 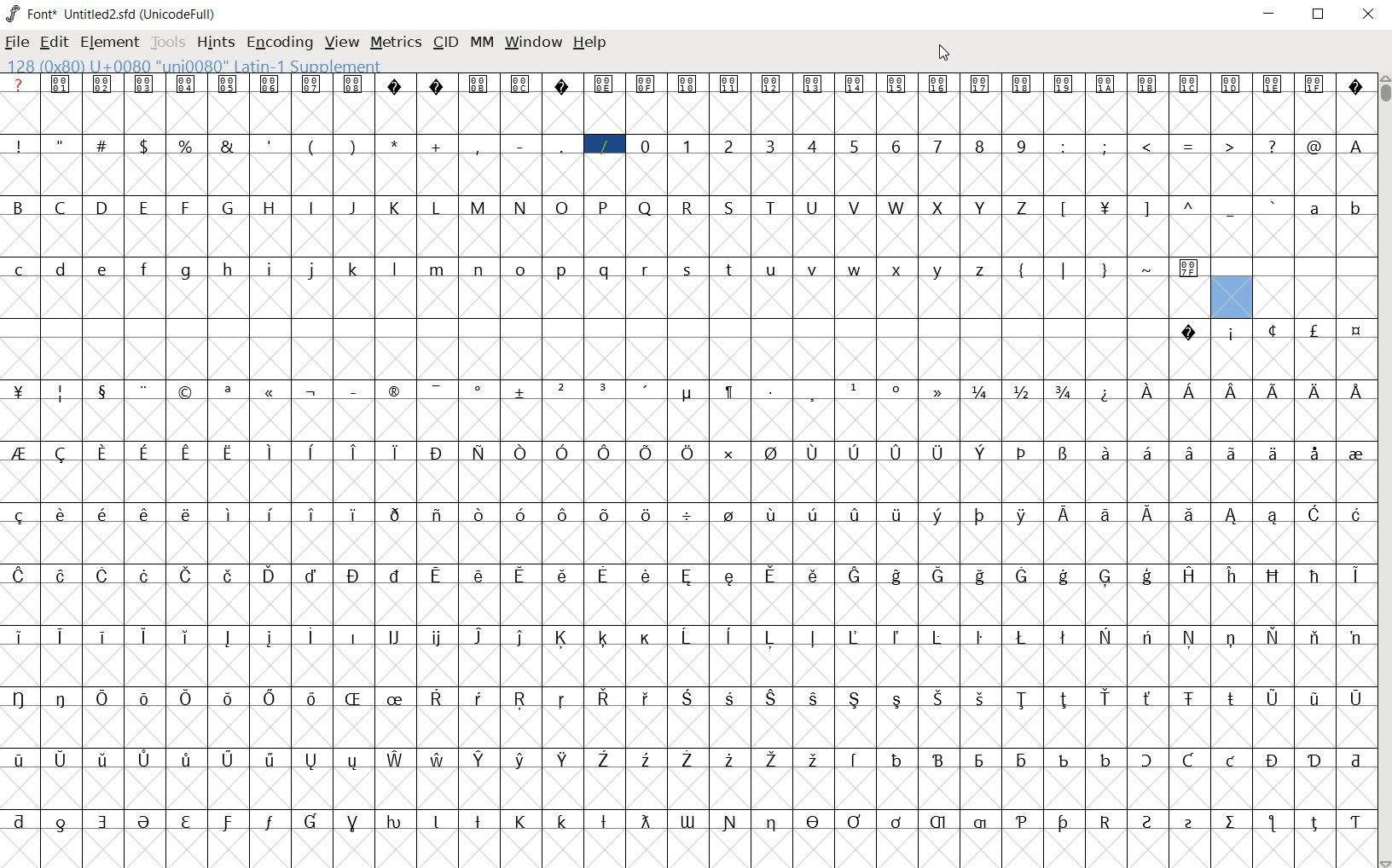 I want to click on glyph, so click(x=1314, y=330).